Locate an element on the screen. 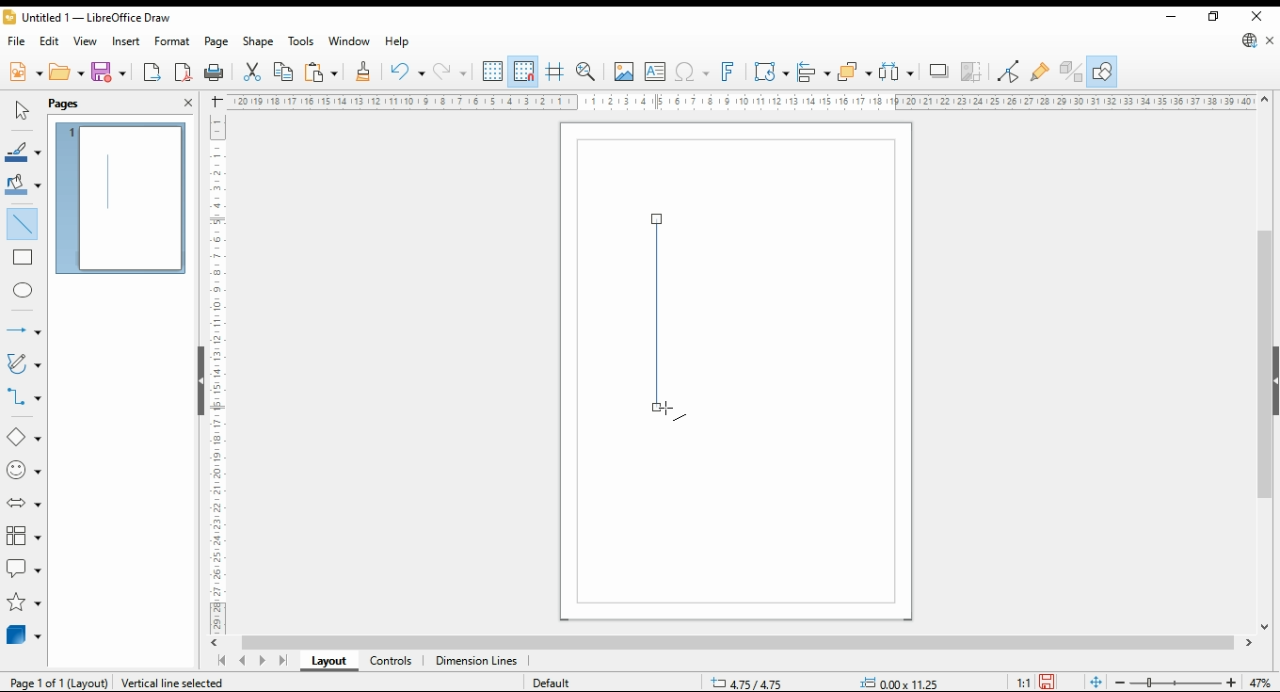 The image size is (1280, 692). move left is located at coordinates (217, 643).